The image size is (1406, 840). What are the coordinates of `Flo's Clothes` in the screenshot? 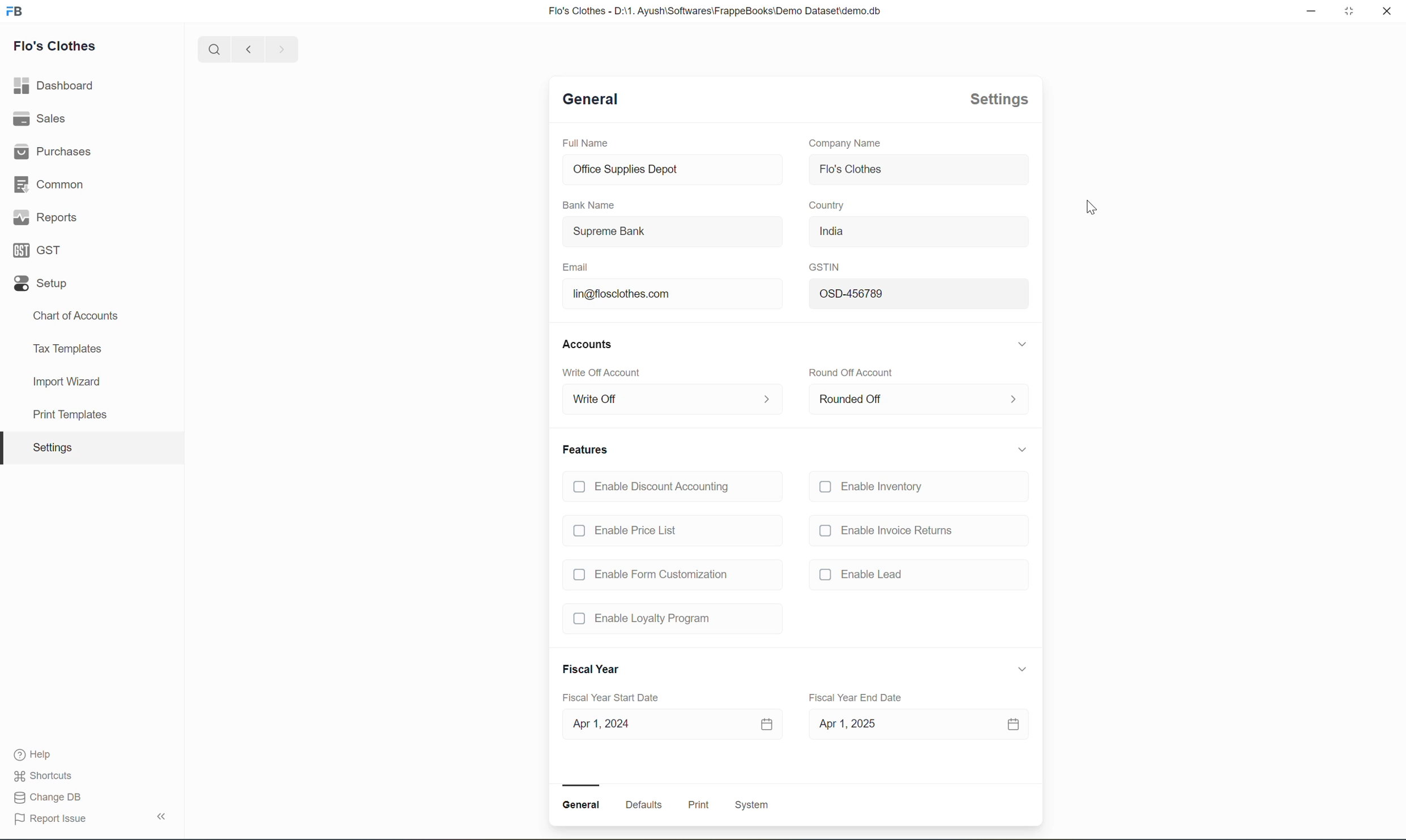 It's located at (55, 47).